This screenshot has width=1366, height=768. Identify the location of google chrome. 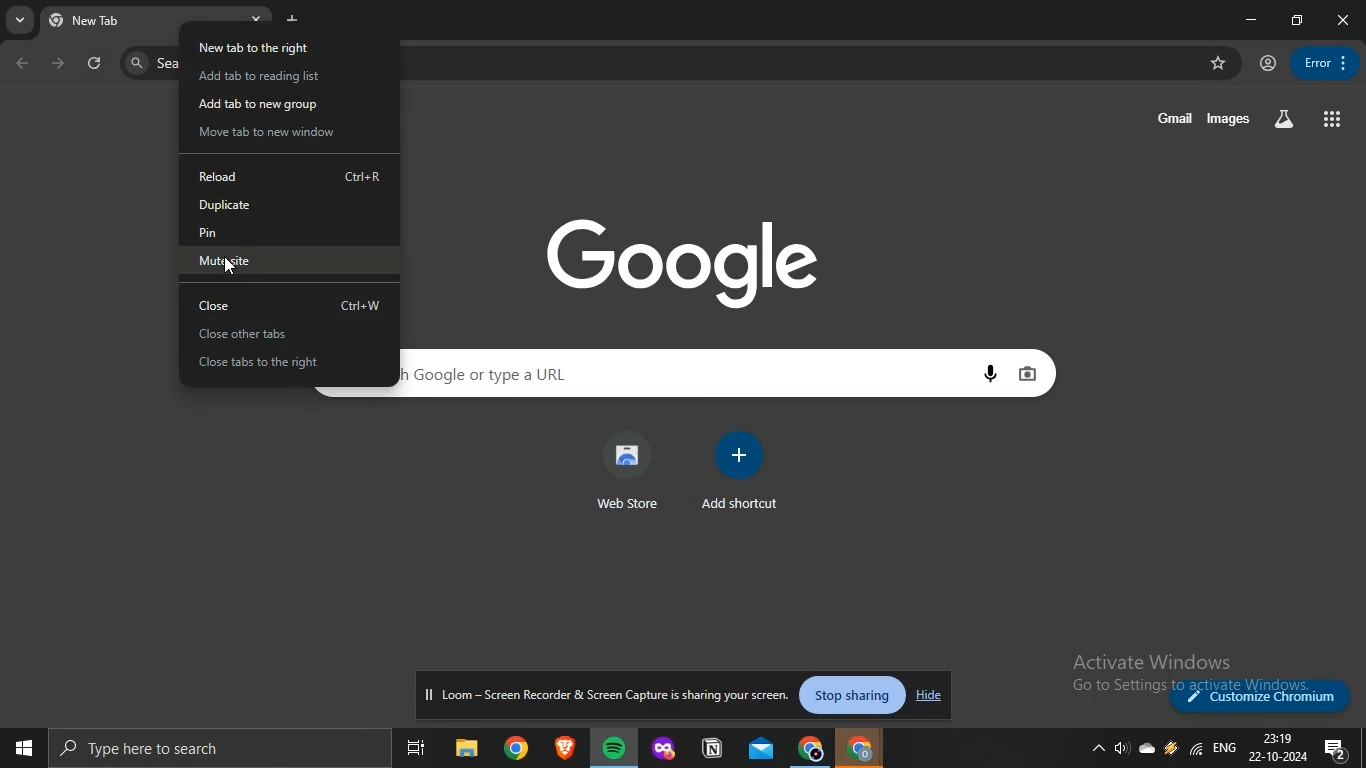
(516, 746).